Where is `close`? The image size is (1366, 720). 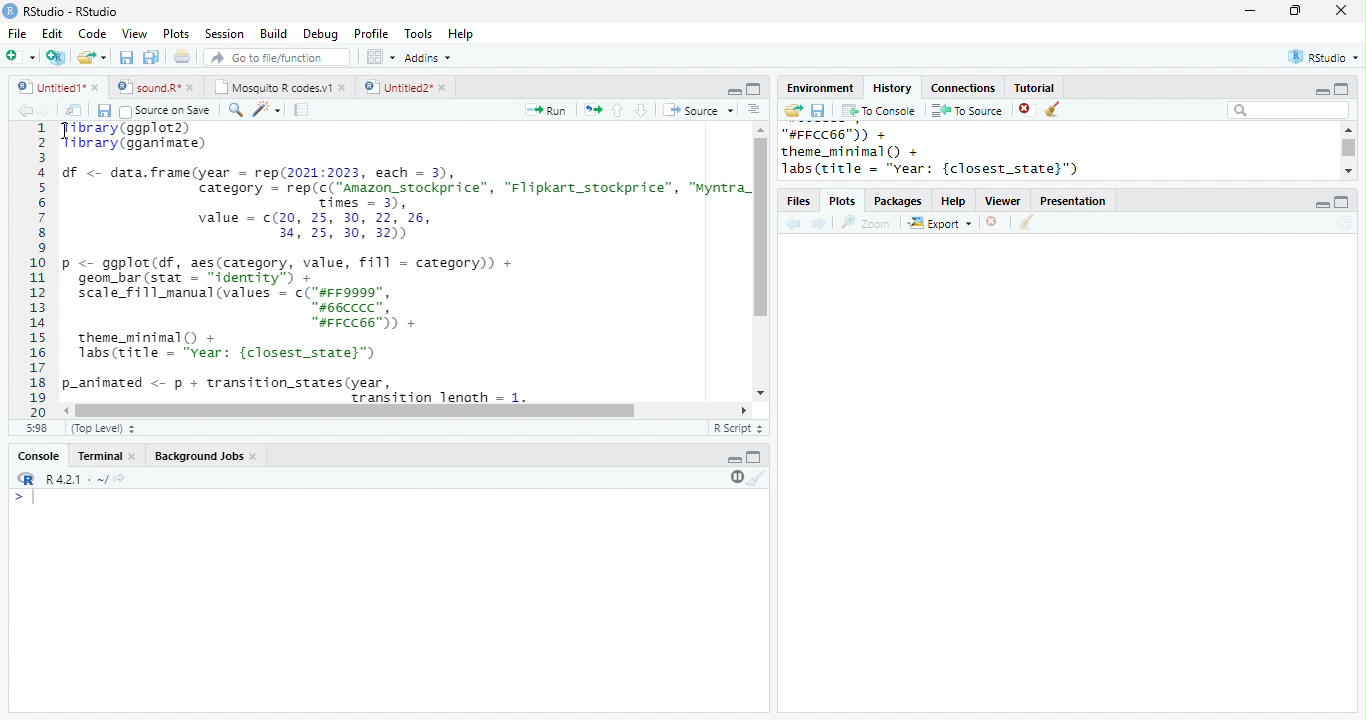 close is located at coordinates (256, 458).